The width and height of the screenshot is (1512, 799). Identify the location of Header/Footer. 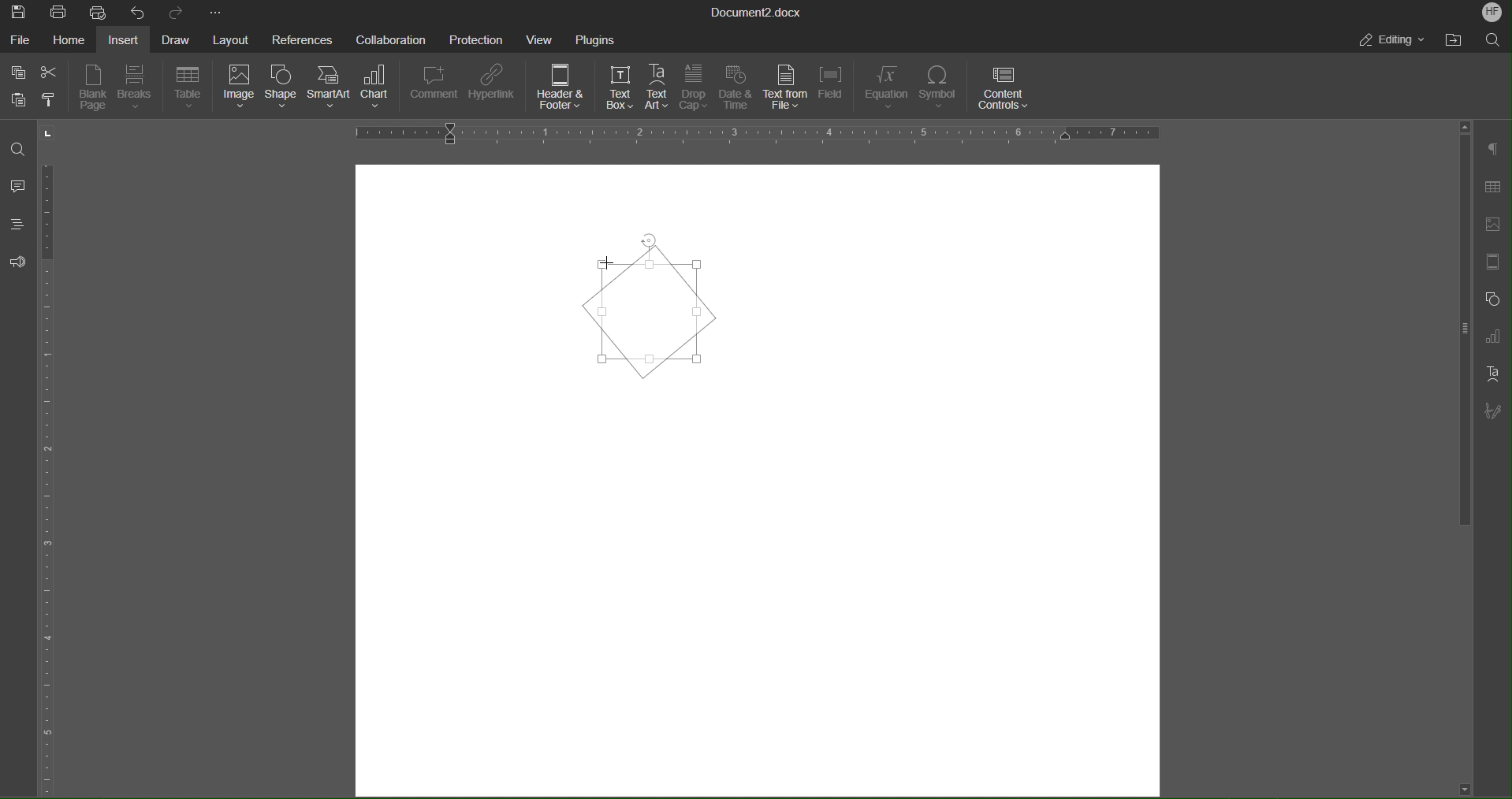
(1490, 262).